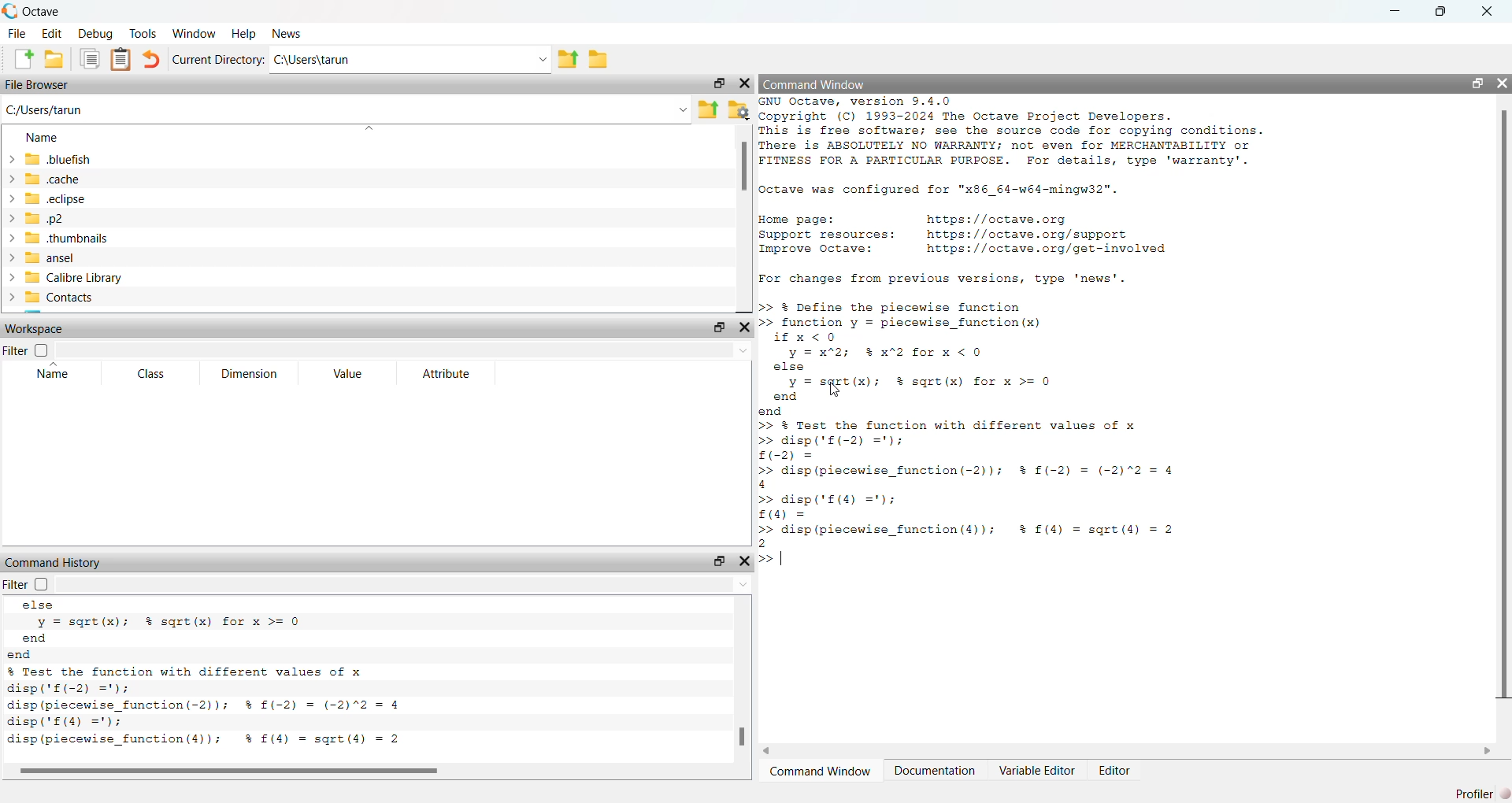  What do you see at coordinates (744, 170) in the screenshot?
I see `Scrollbar` at bounding box center [744, 170].